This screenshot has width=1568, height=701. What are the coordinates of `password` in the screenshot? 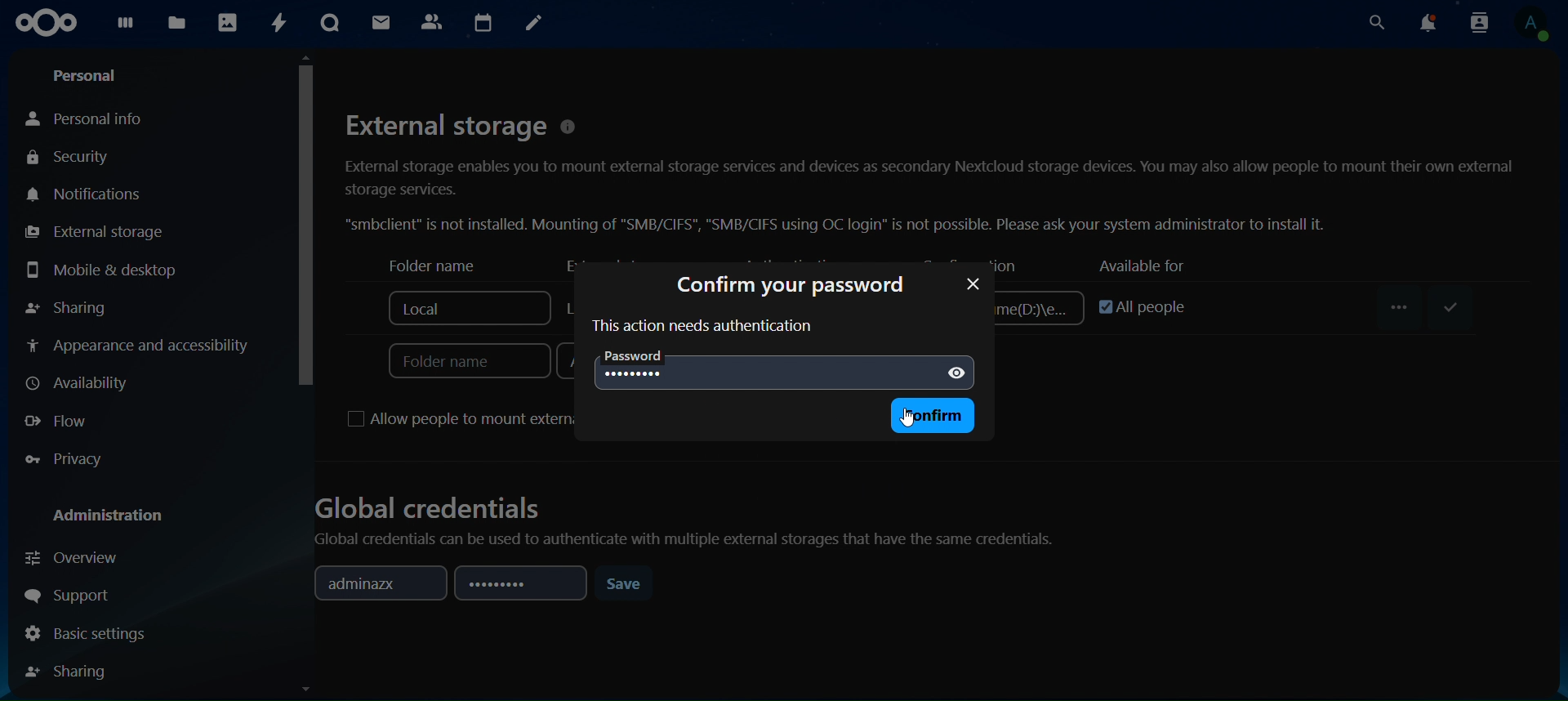 It's located at (972, 284).